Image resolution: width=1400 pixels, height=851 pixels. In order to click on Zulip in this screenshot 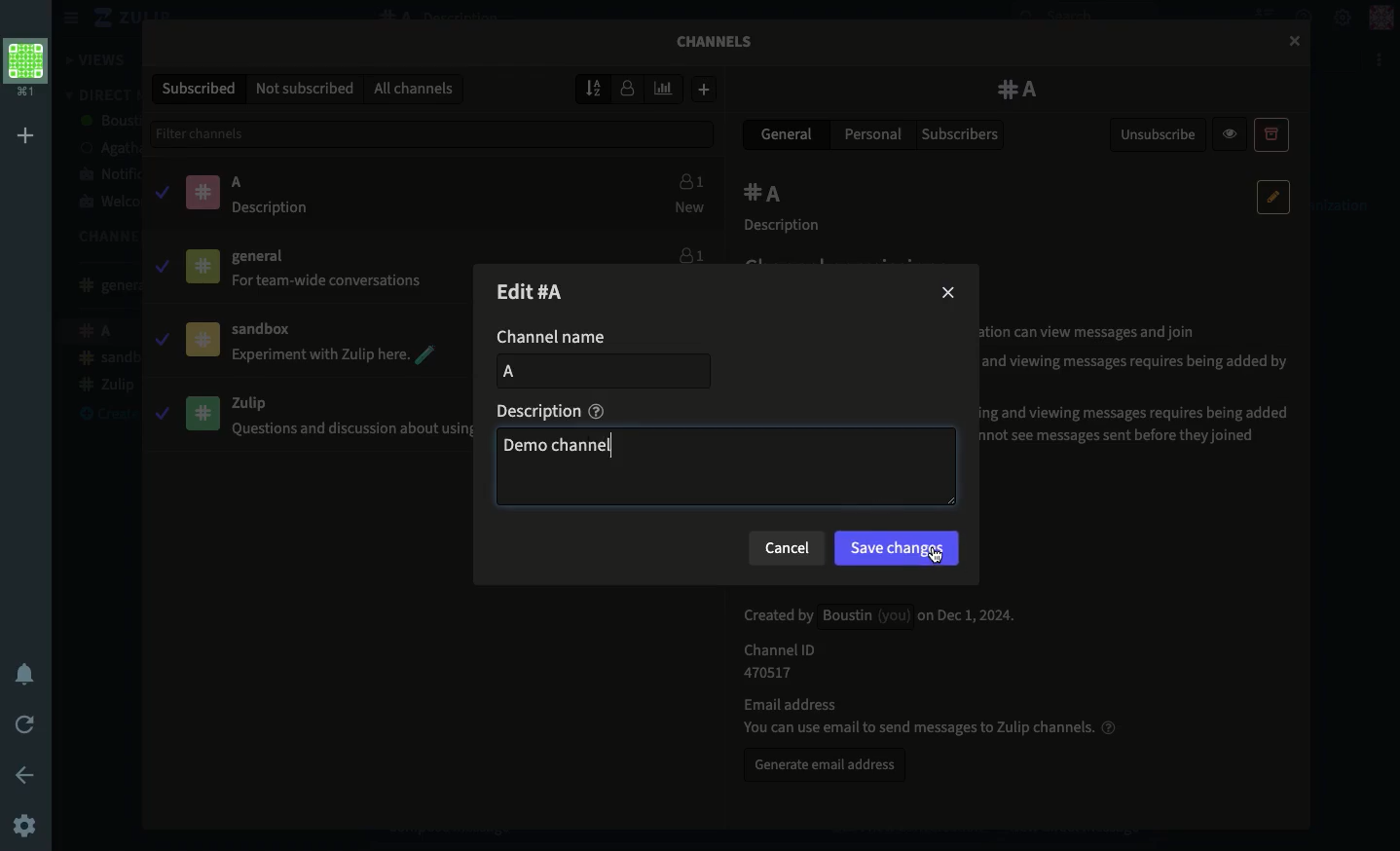, I will do `click(112, 18)`.